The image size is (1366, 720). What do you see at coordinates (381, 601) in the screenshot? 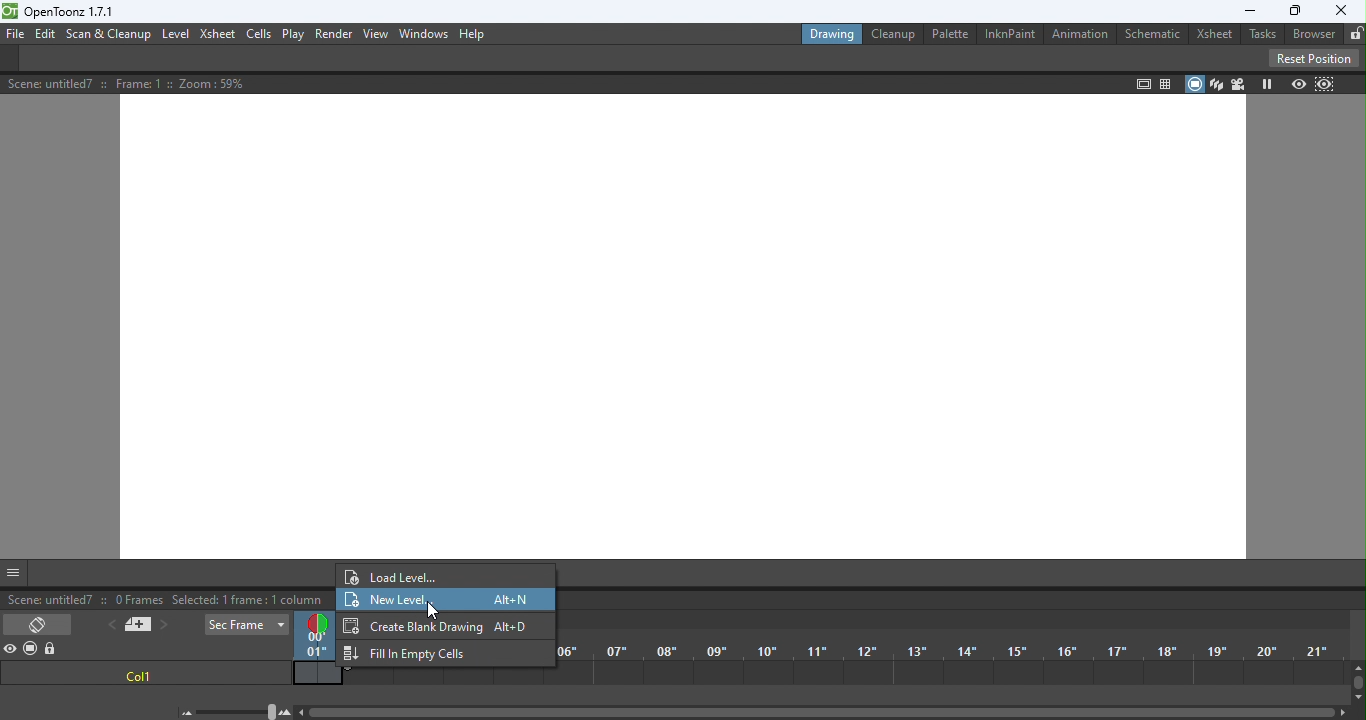
I see `New level` at bounding box center [381, 601].